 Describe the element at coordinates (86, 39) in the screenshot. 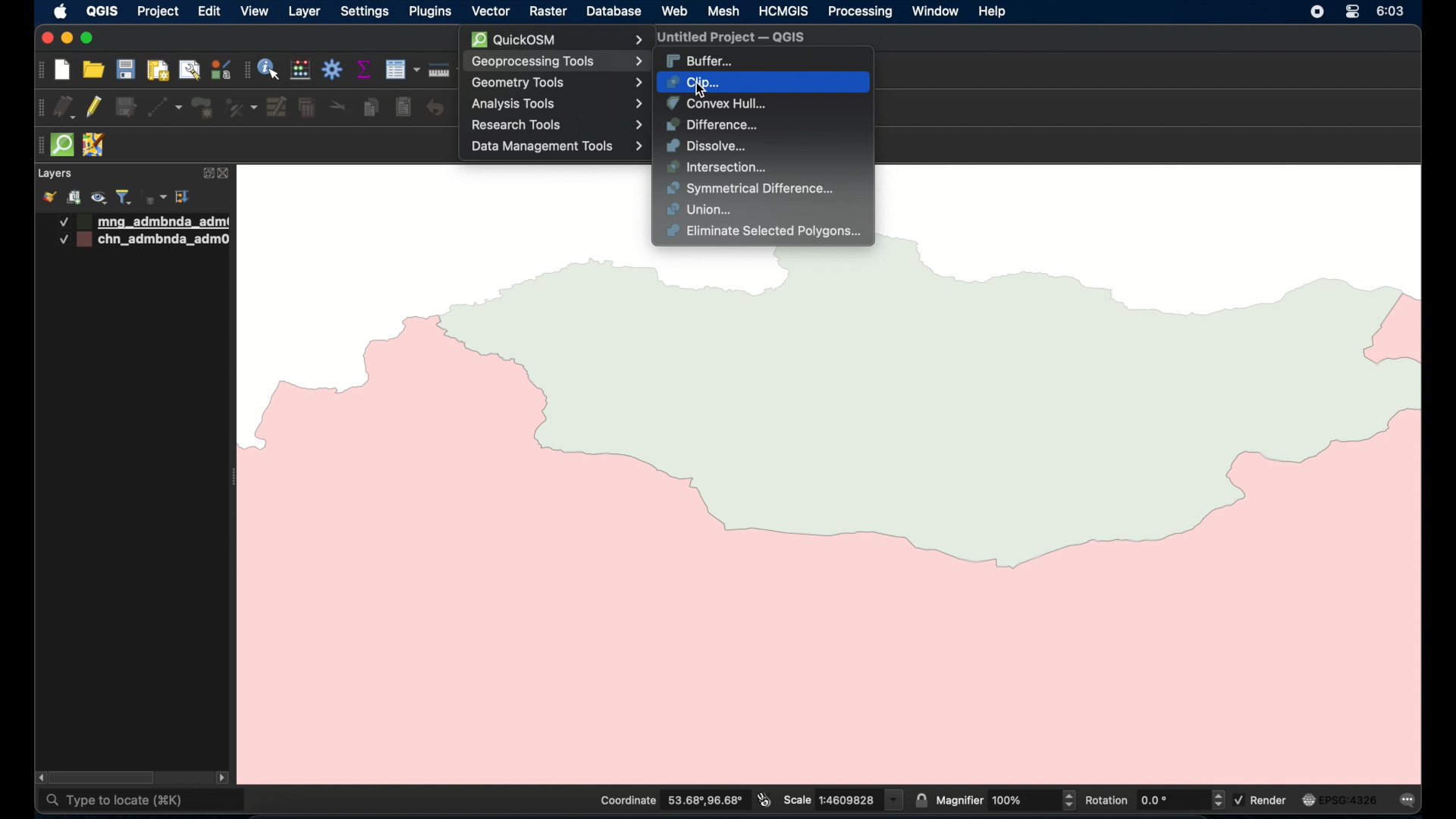

I see `maximize` at that location.